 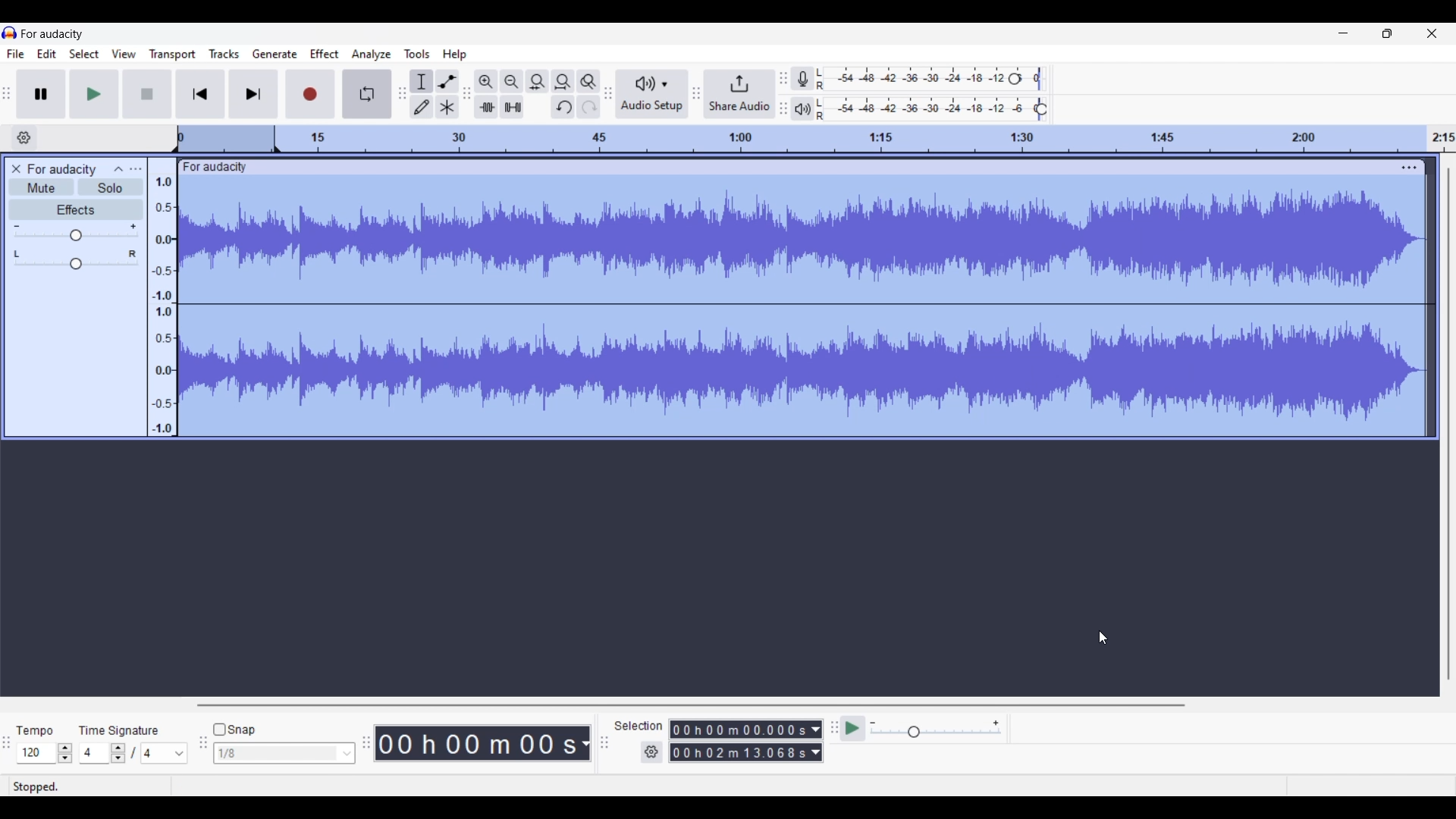 What do you see at coordinates (447, 81) in the screenshot?
I see `Envelop tool` at bounding box center [447, 81].